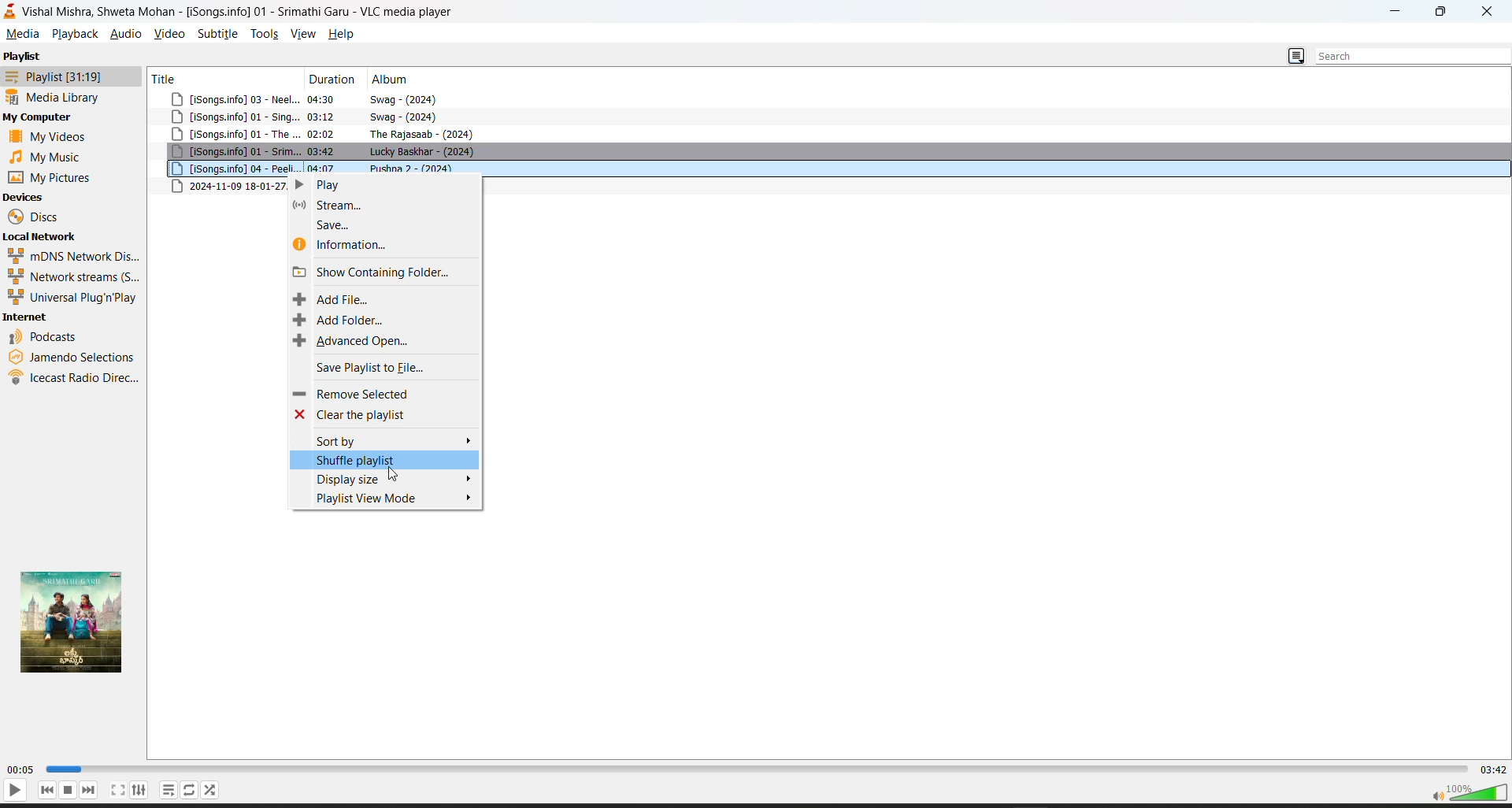 The height and width of the screenshot is (808, 1512). Describe the element at coordinates (348, 35) in the screenshot. I see `help` at that location.